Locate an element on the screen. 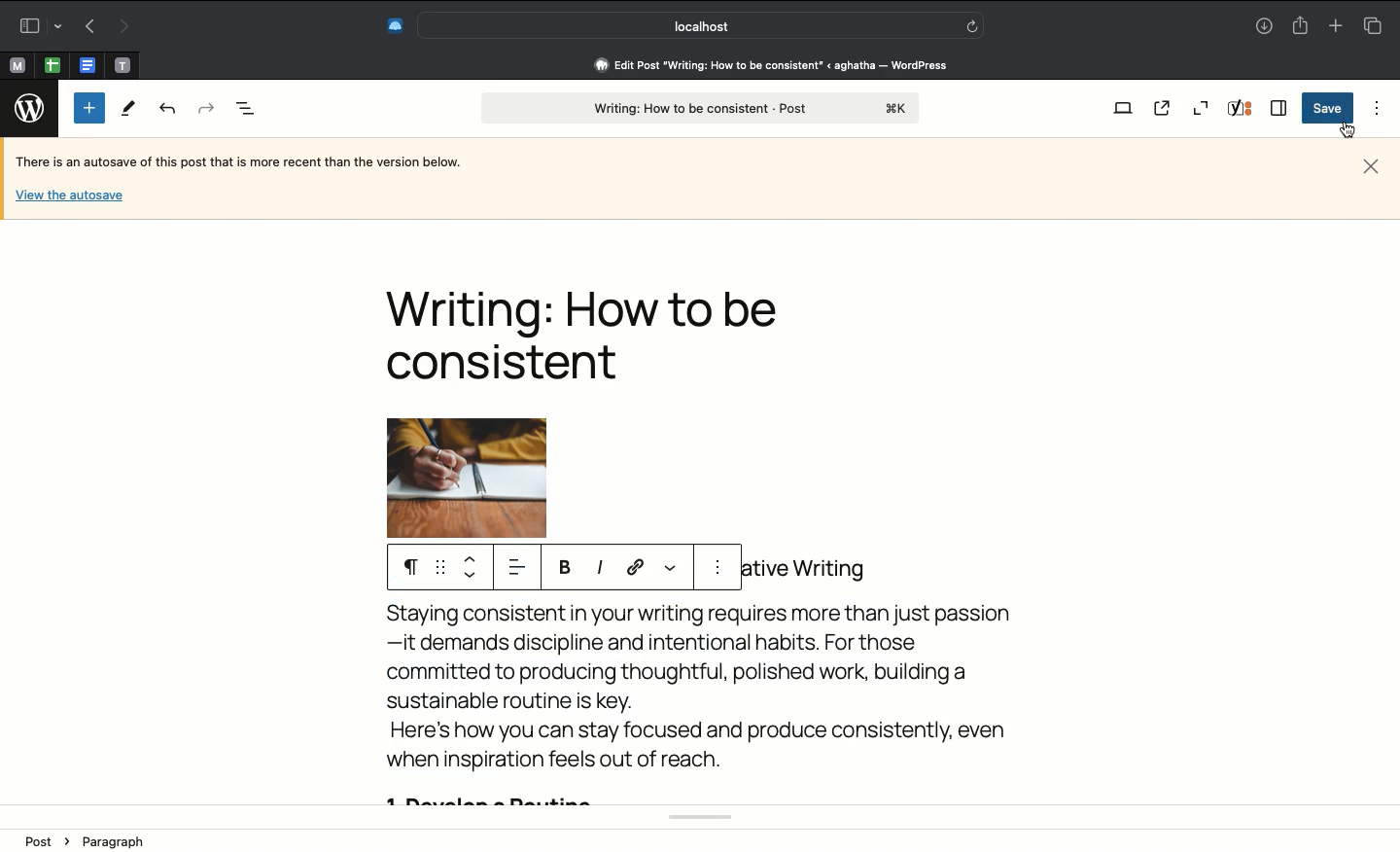  Search bar is located at coordinates (701, 25).